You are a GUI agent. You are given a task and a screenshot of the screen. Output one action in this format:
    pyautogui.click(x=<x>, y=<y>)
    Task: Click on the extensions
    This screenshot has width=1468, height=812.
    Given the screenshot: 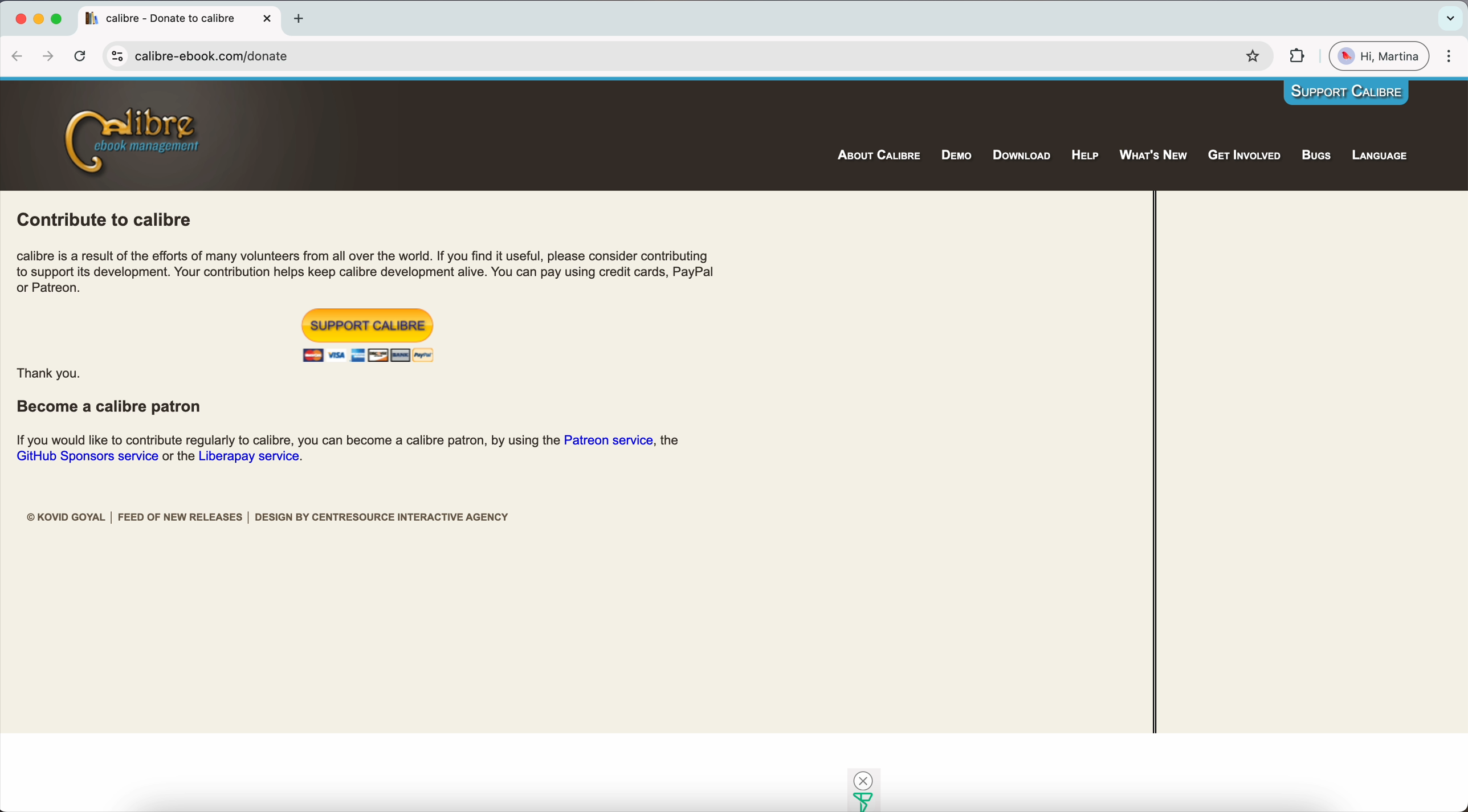 What is the action you would take?
    pyautogui.click(x=1296, y=56)
    